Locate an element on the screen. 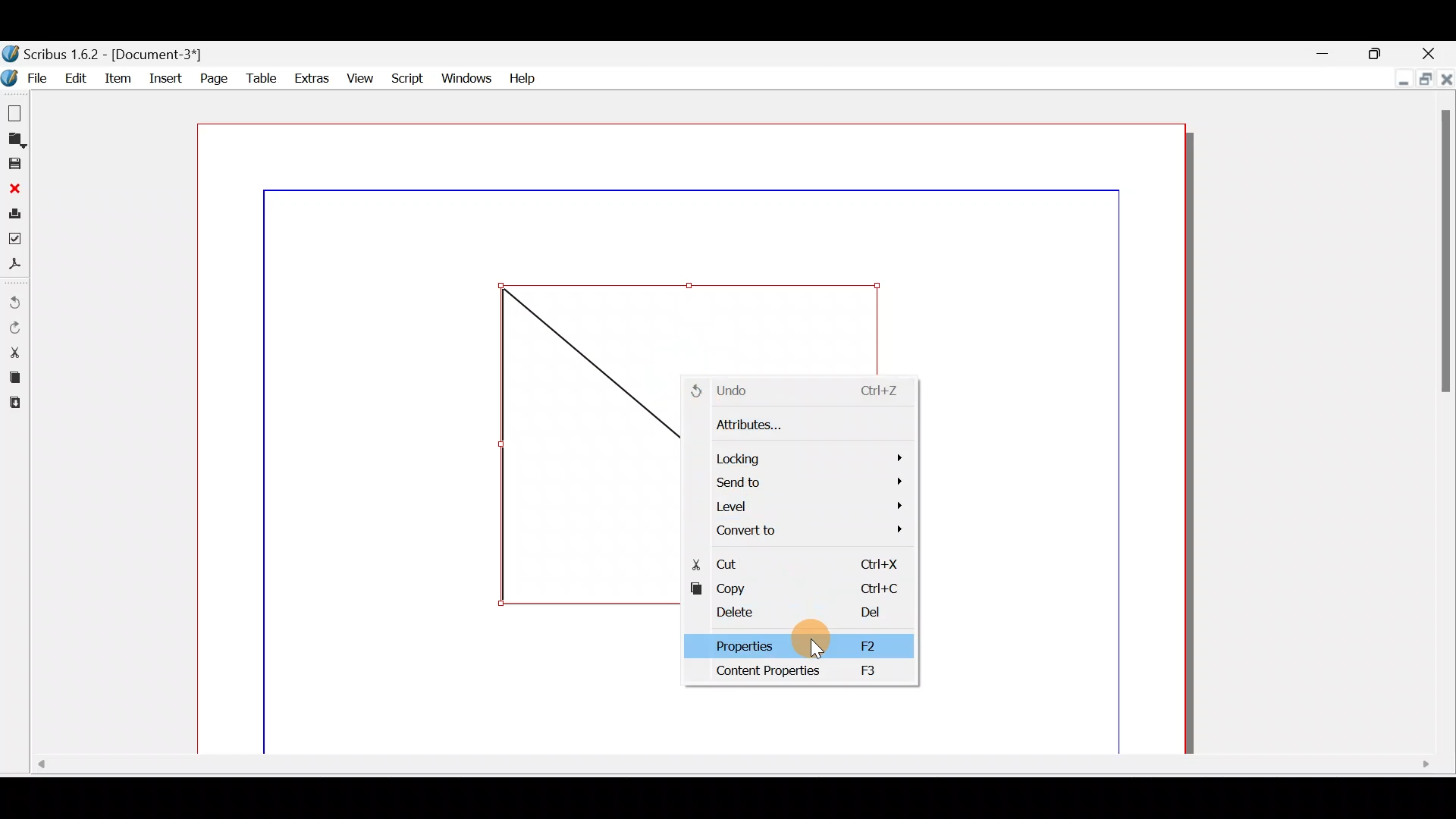 Image resolution: width=1456 pixels, height=819 pixels. Cut is located at coordinates (799, 562).